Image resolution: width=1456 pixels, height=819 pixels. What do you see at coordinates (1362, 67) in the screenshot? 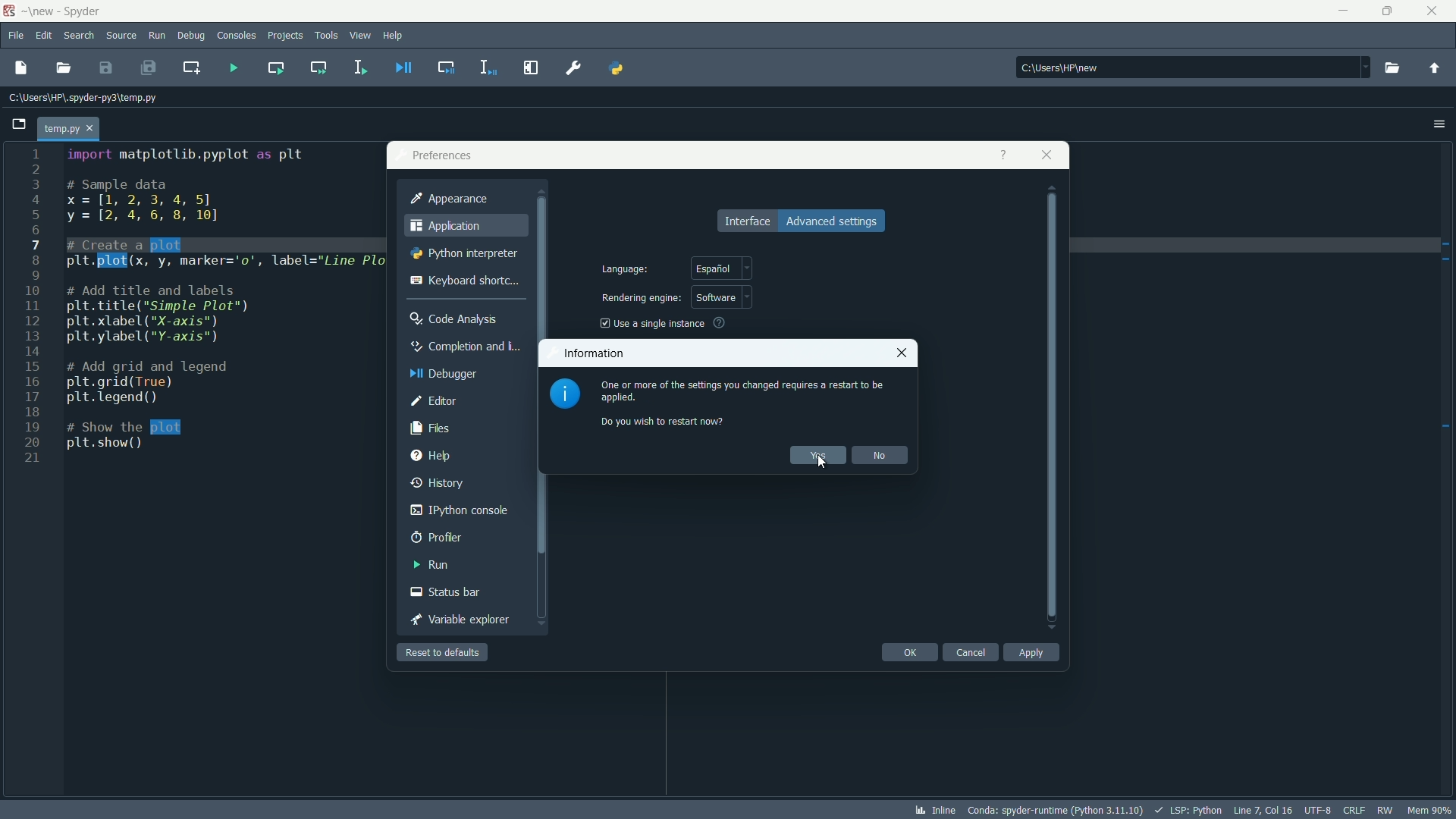
I see `dropdown toggle` at bounding box center [1362, 67].